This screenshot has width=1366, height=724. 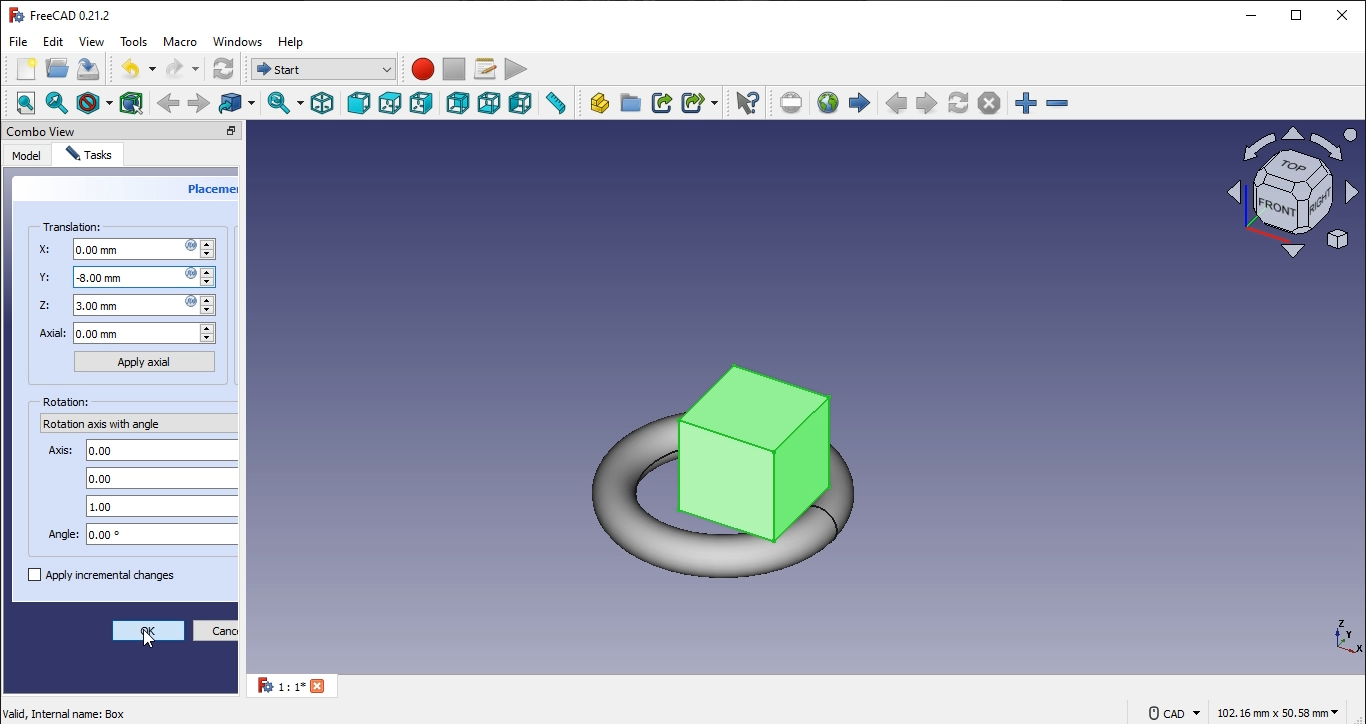 What do you see at coordinates (792, 102) in the screenshot?
I see `set URL` at bounding box center [792, 102].